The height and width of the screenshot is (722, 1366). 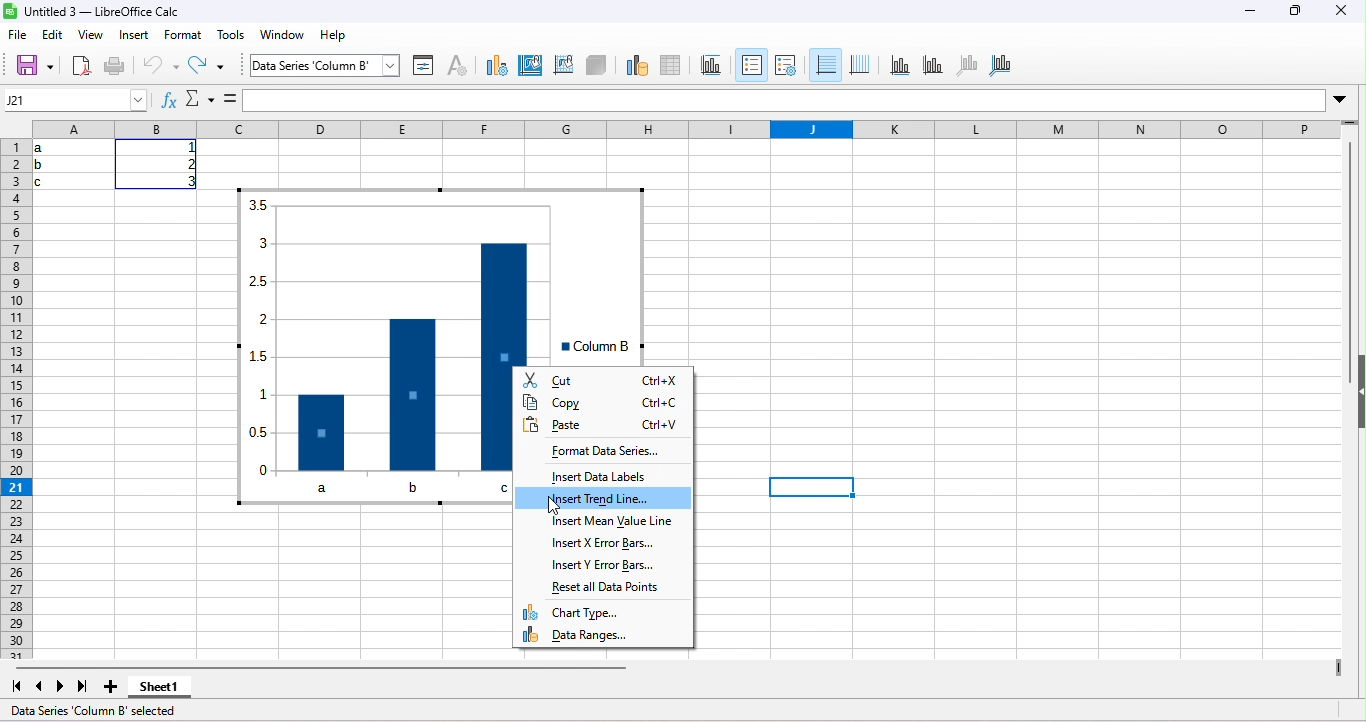 I want to click on legend, so click(x=608, y=348).